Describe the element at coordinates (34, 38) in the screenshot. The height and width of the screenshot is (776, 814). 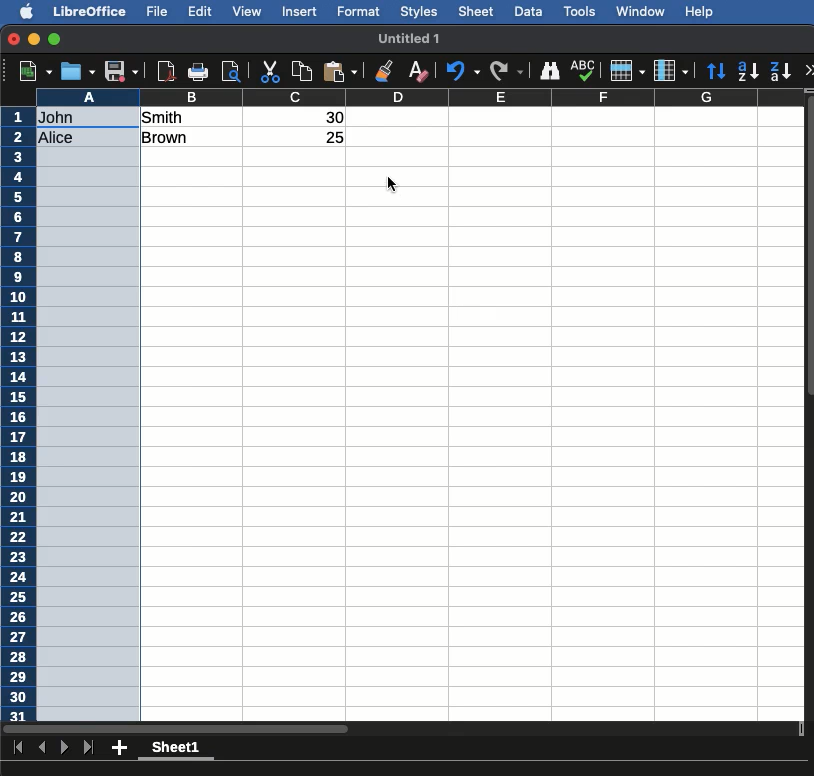
I see `Minimize` at that location.